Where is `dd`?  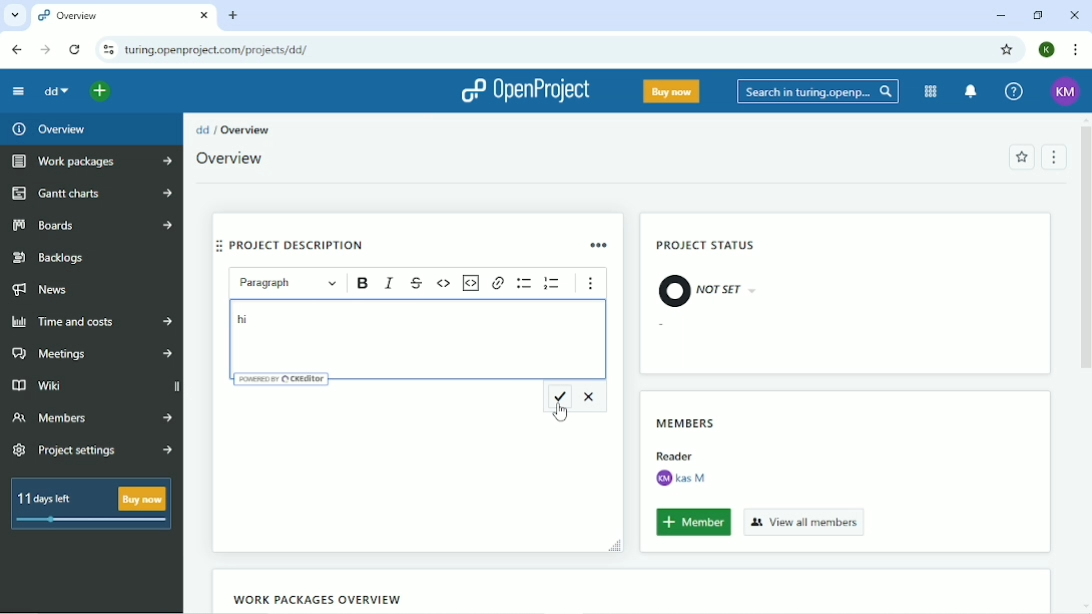
dd is located at coordinates (202, 129).